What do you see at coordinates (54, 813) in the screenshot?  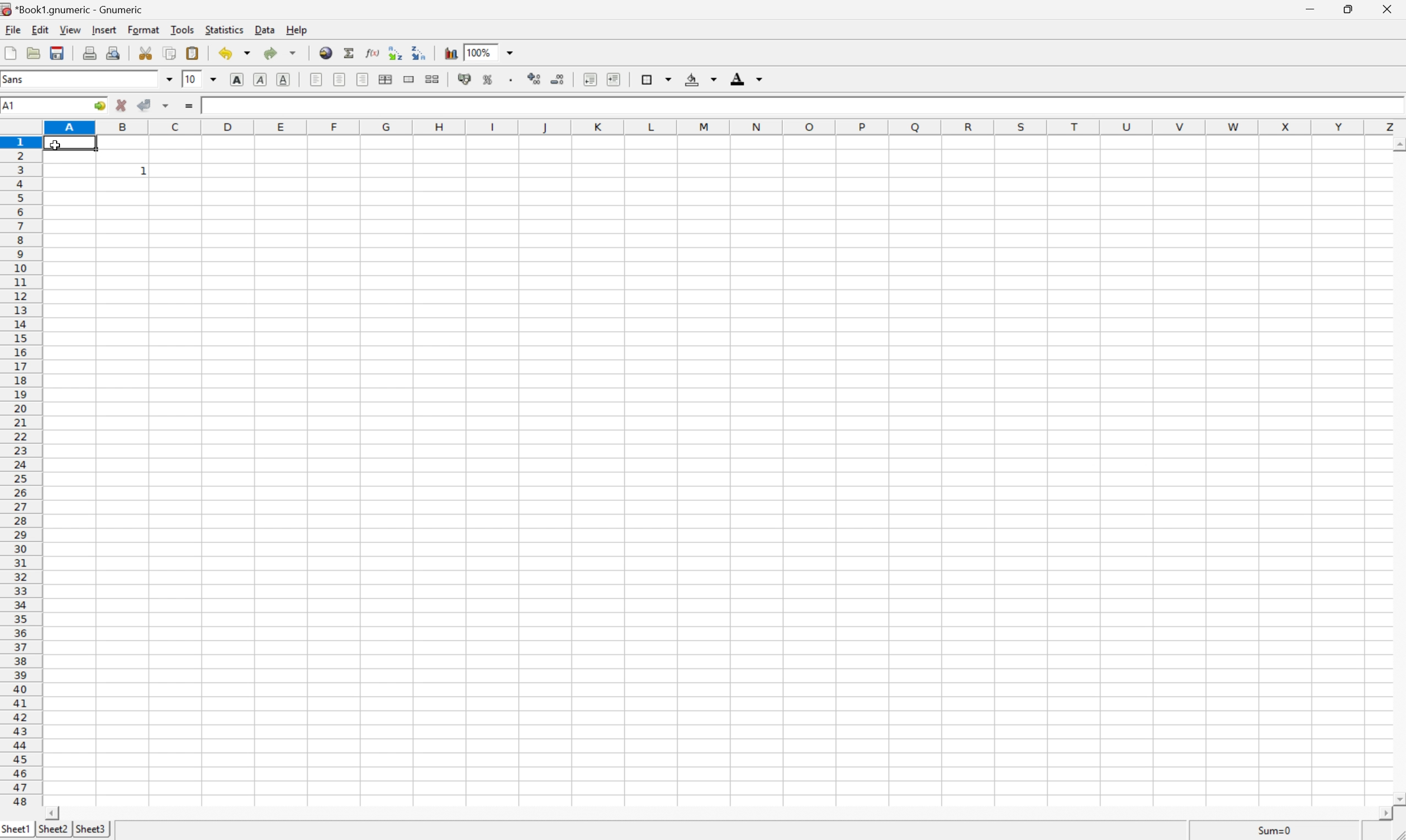 I see `scroll left` at bounding box center [54, 813].